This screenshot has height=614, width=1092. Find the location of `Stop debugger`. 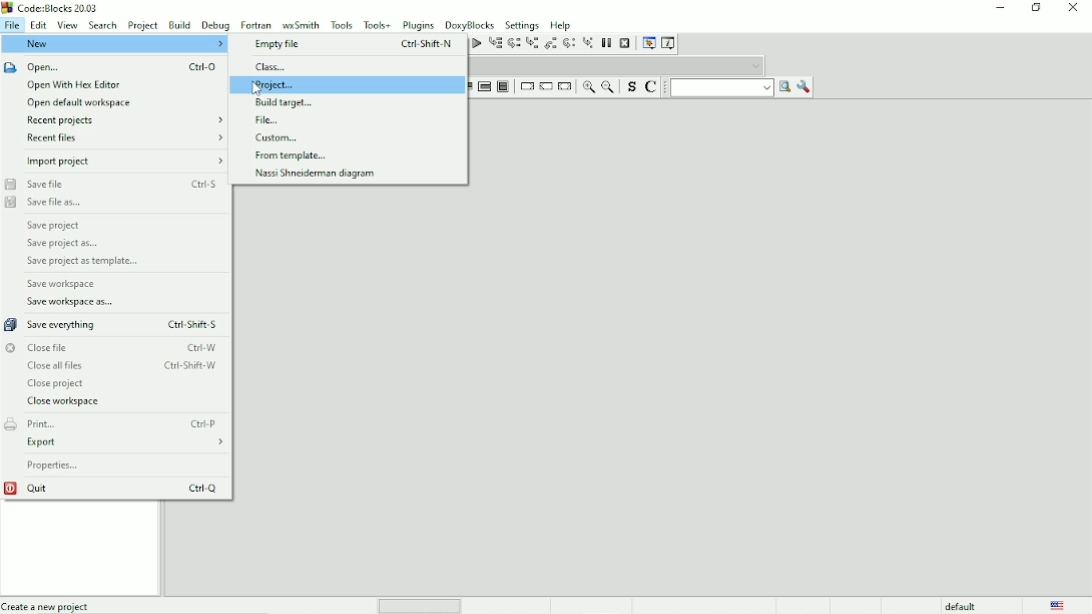

Stop debugger is located at coordinates (625, 43).